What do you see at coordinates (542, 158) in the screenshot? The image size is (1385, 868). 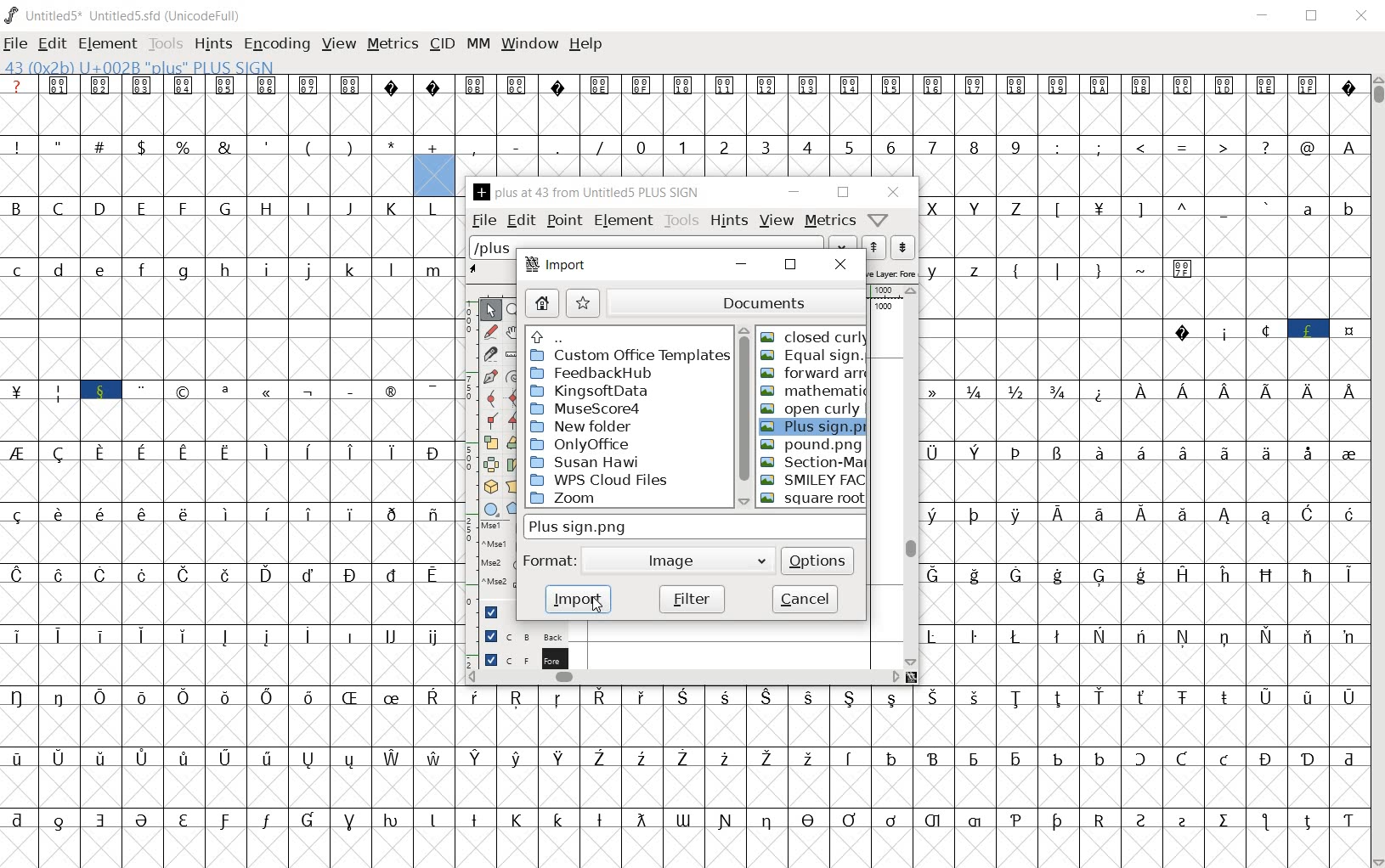 I see `special characters` at bounding box center [542, 158].